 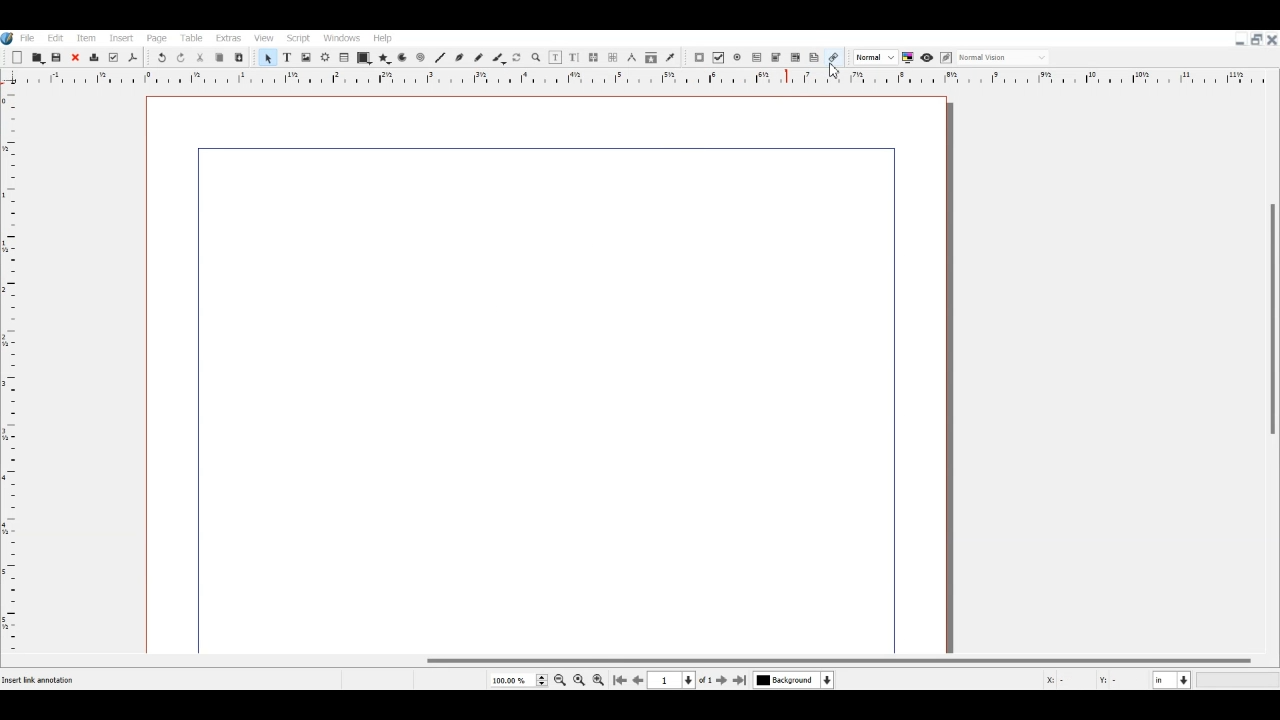 I want to click on File, so click(x=29, y=37).